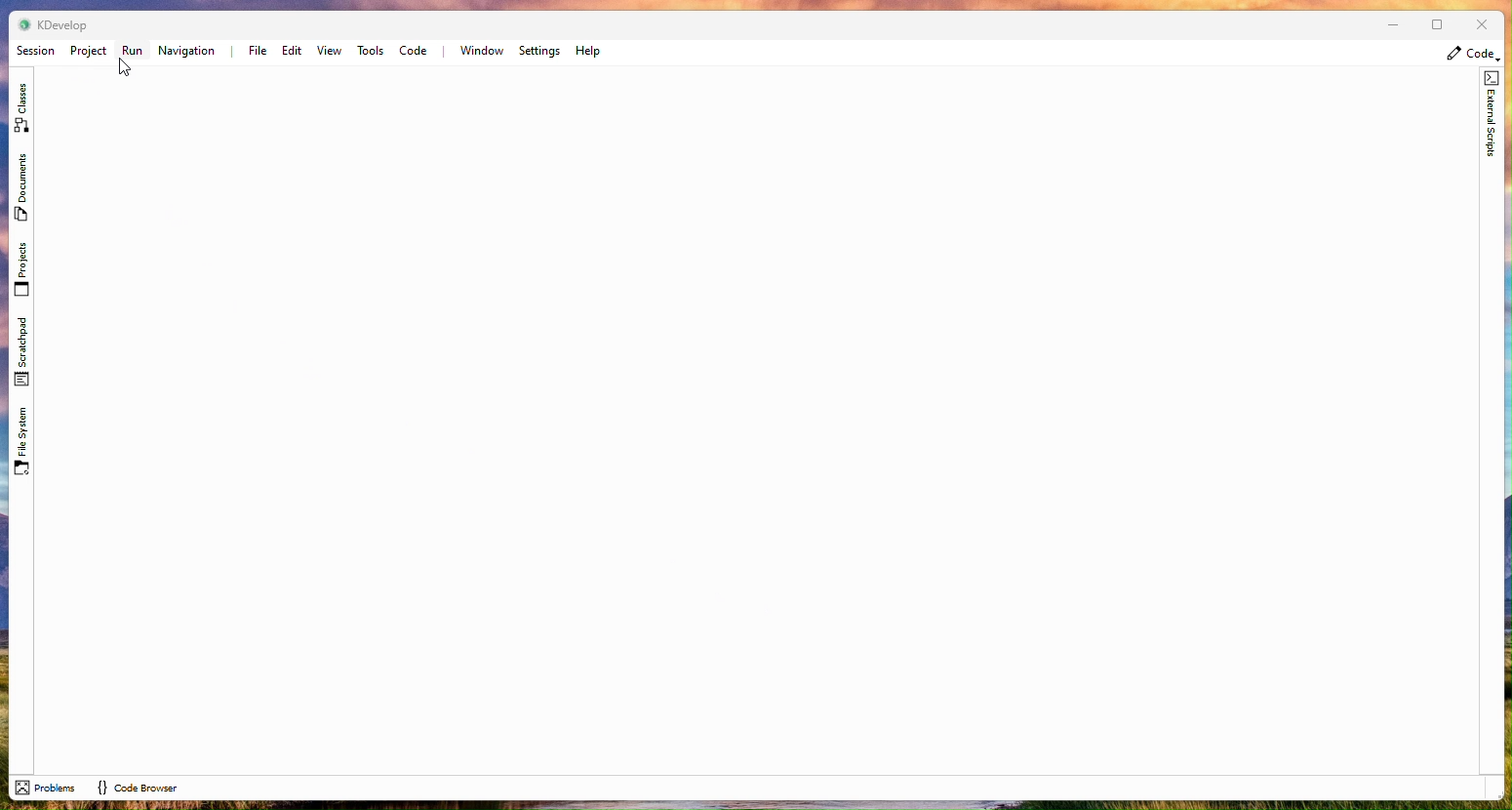 This screenshot has width=1512, height=810. Describe the element at coordinates (138, 788) in the screenshot. I see `code browser` at that location.